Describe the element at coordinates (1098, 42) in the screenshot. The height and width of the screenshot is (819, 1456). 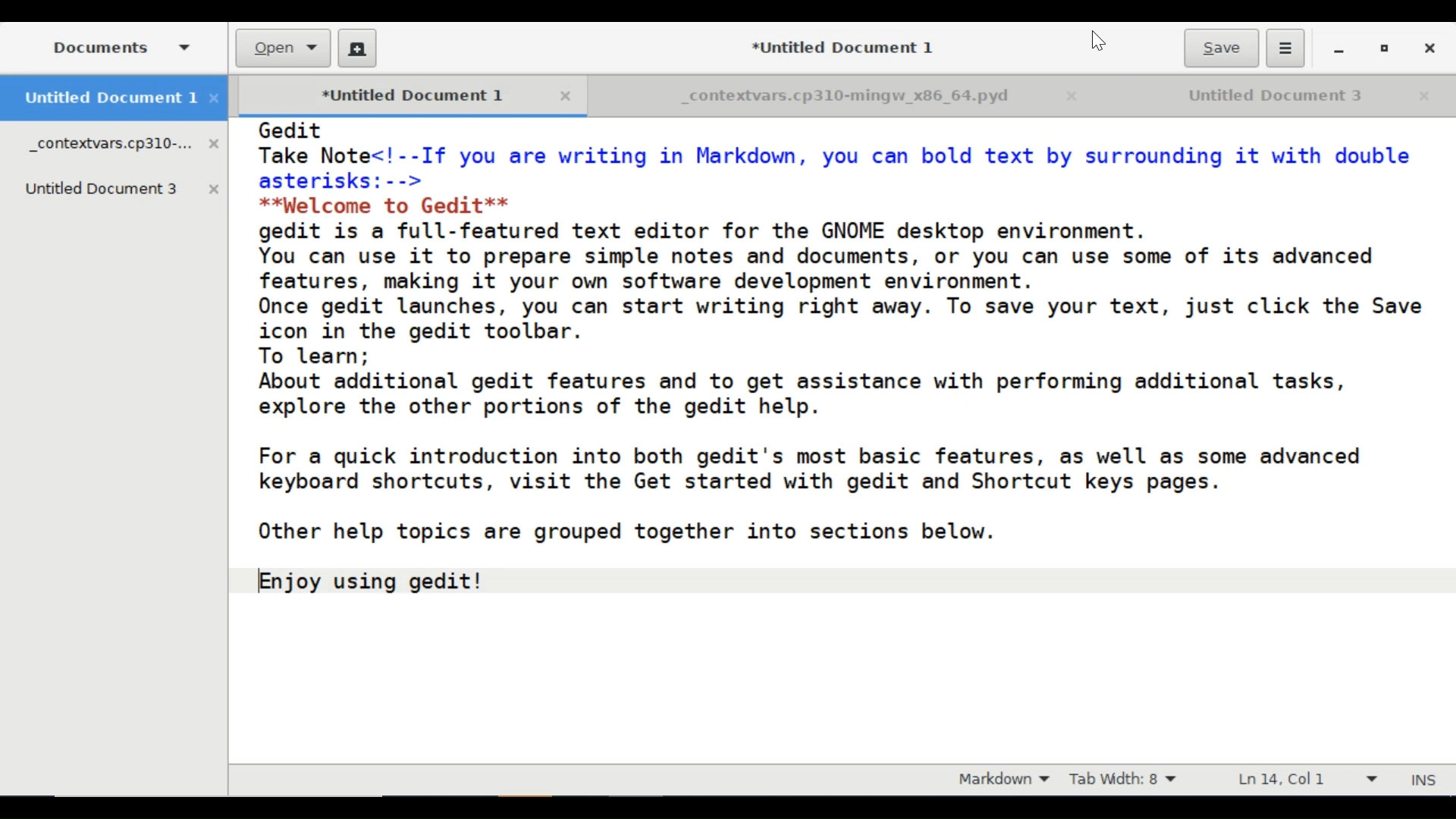
I see `Cursor` at that location.